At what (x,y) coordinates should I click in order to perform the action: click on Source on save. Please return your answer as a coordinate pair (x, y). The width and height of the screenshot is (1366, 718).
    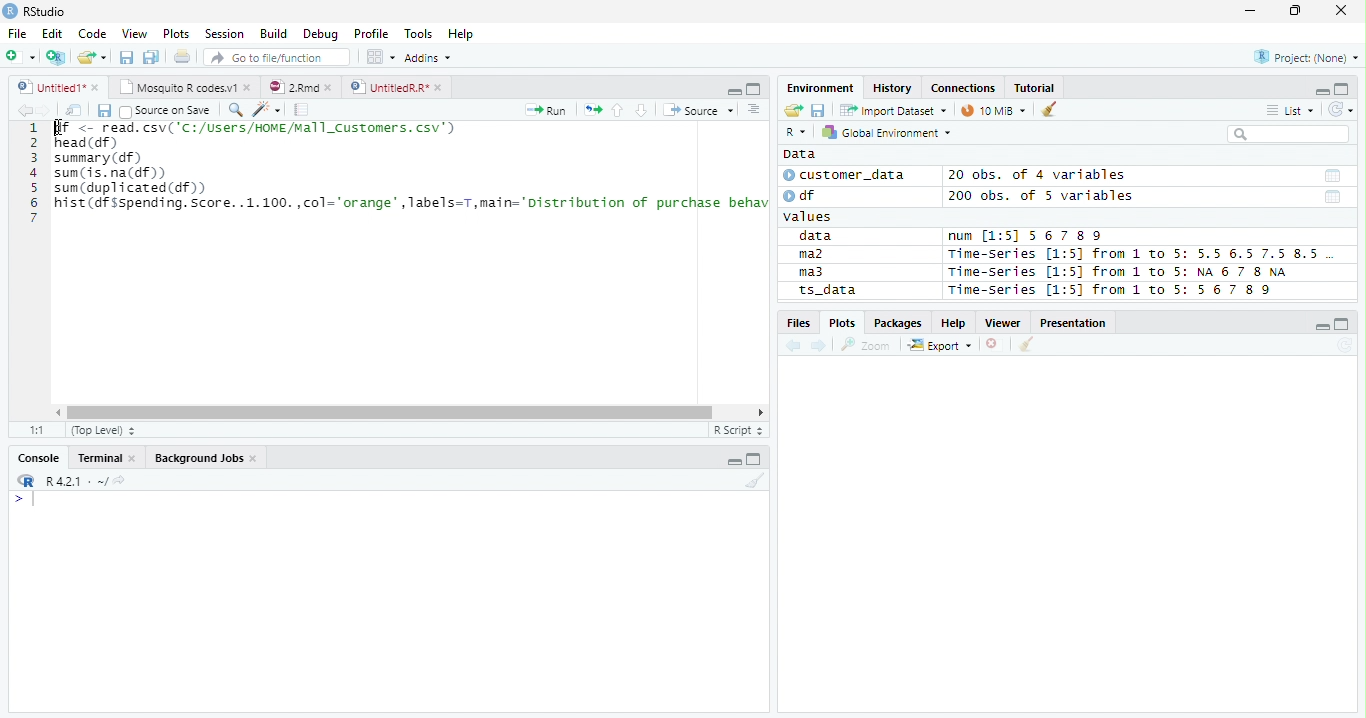
    Looking at the image, I should click on (166, 111).